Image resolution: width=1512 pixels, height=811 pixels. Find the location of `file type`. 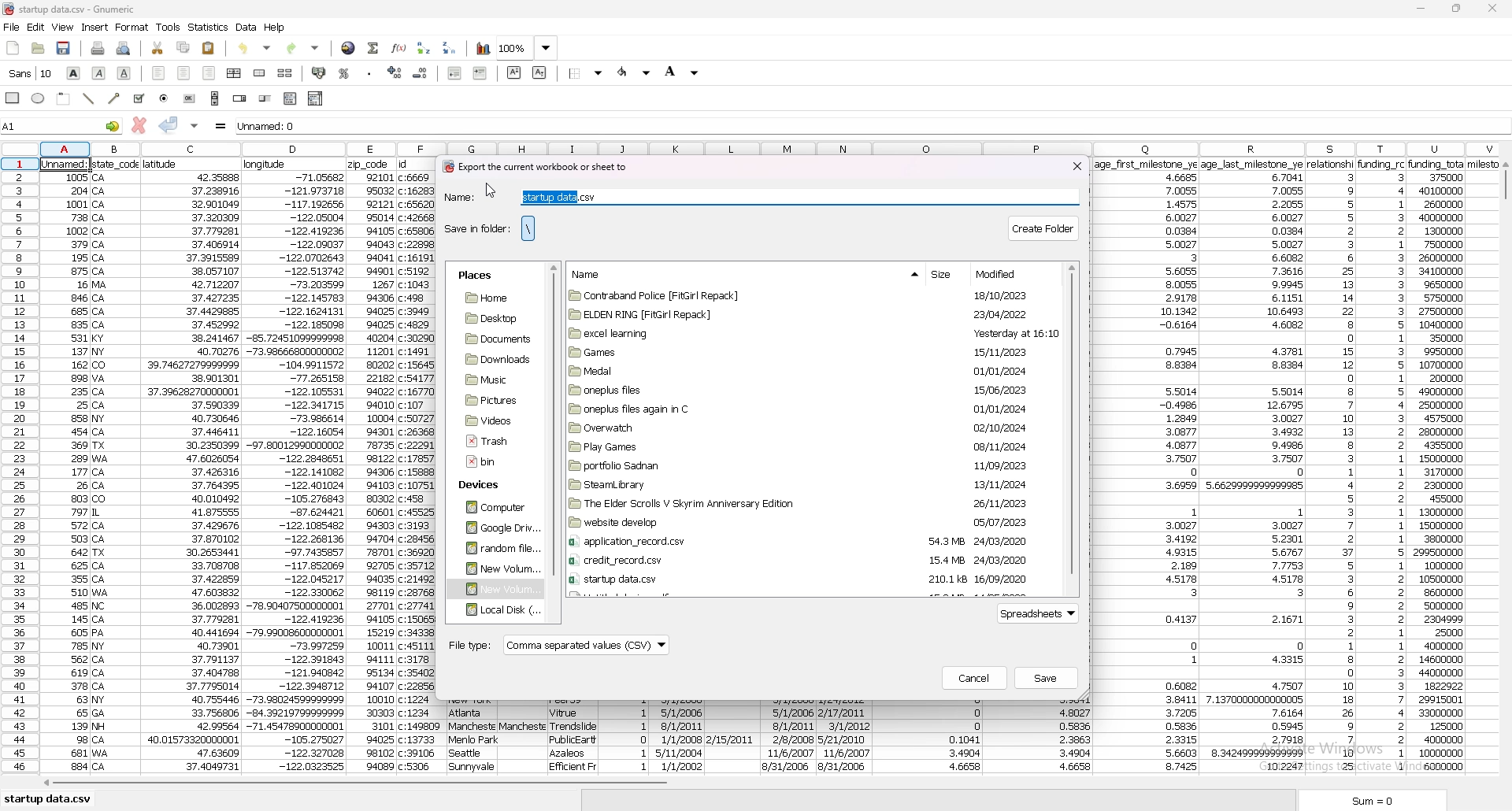

file type is located at coordinates (558, 646).